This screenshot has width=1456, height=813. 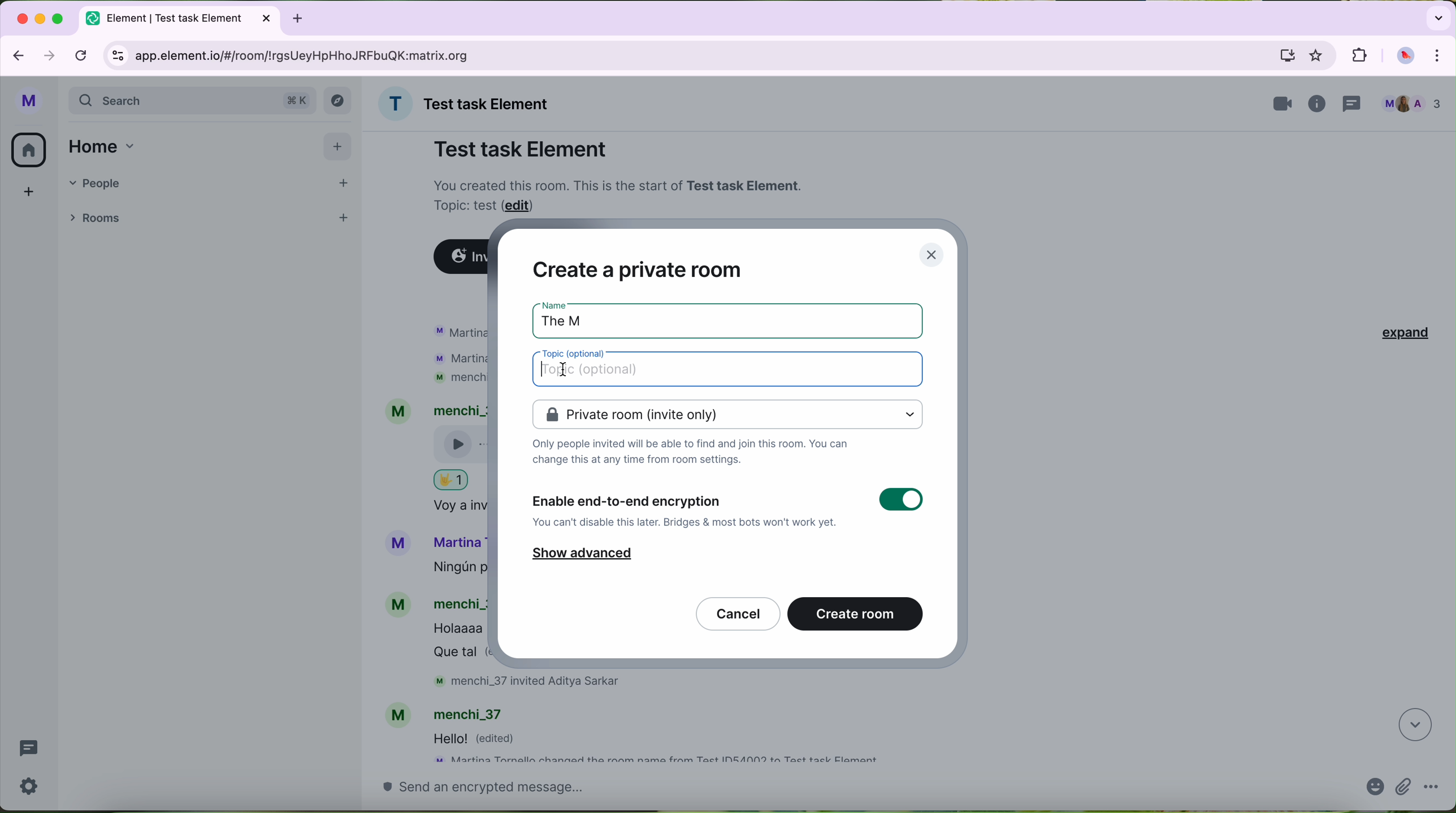 What do you see at coordinates (561, 371) in the screenshot?
I see `cursor` at bounding box center [561, 371].